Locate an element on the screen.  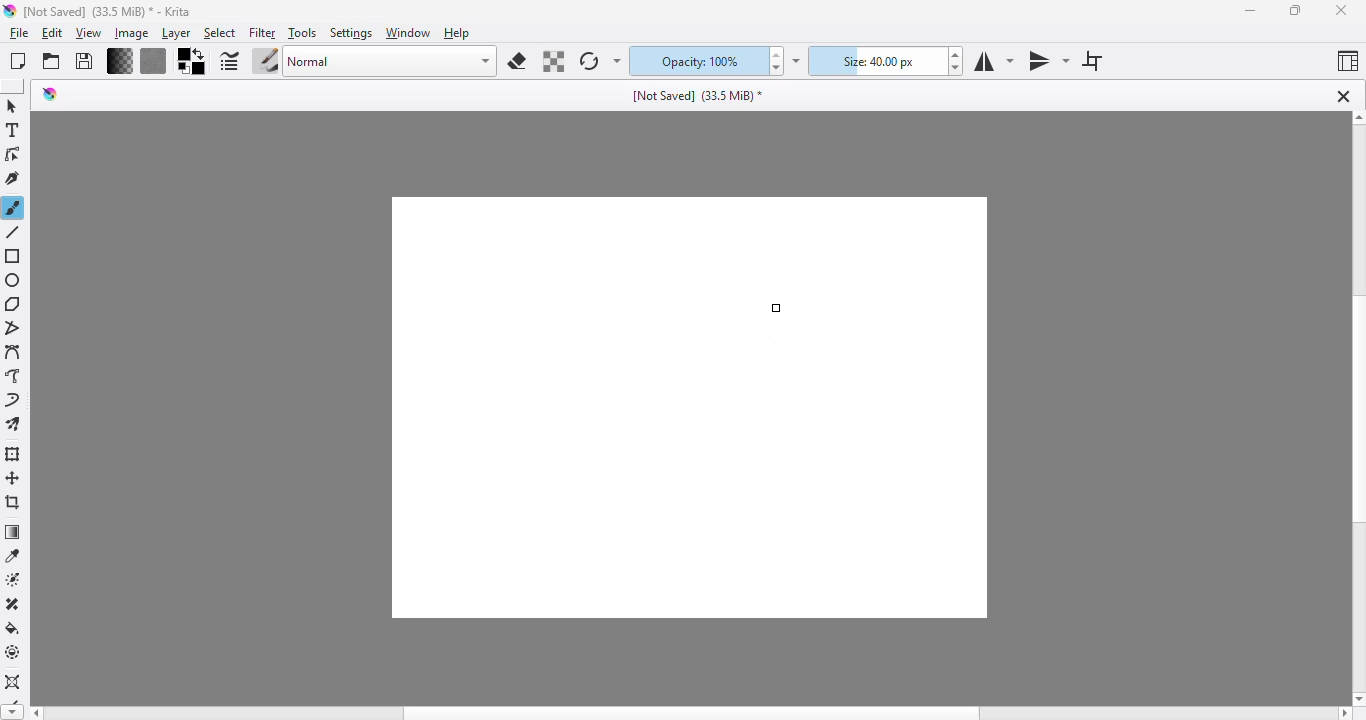
edit shapes tool is located at coordinates (14, 155).